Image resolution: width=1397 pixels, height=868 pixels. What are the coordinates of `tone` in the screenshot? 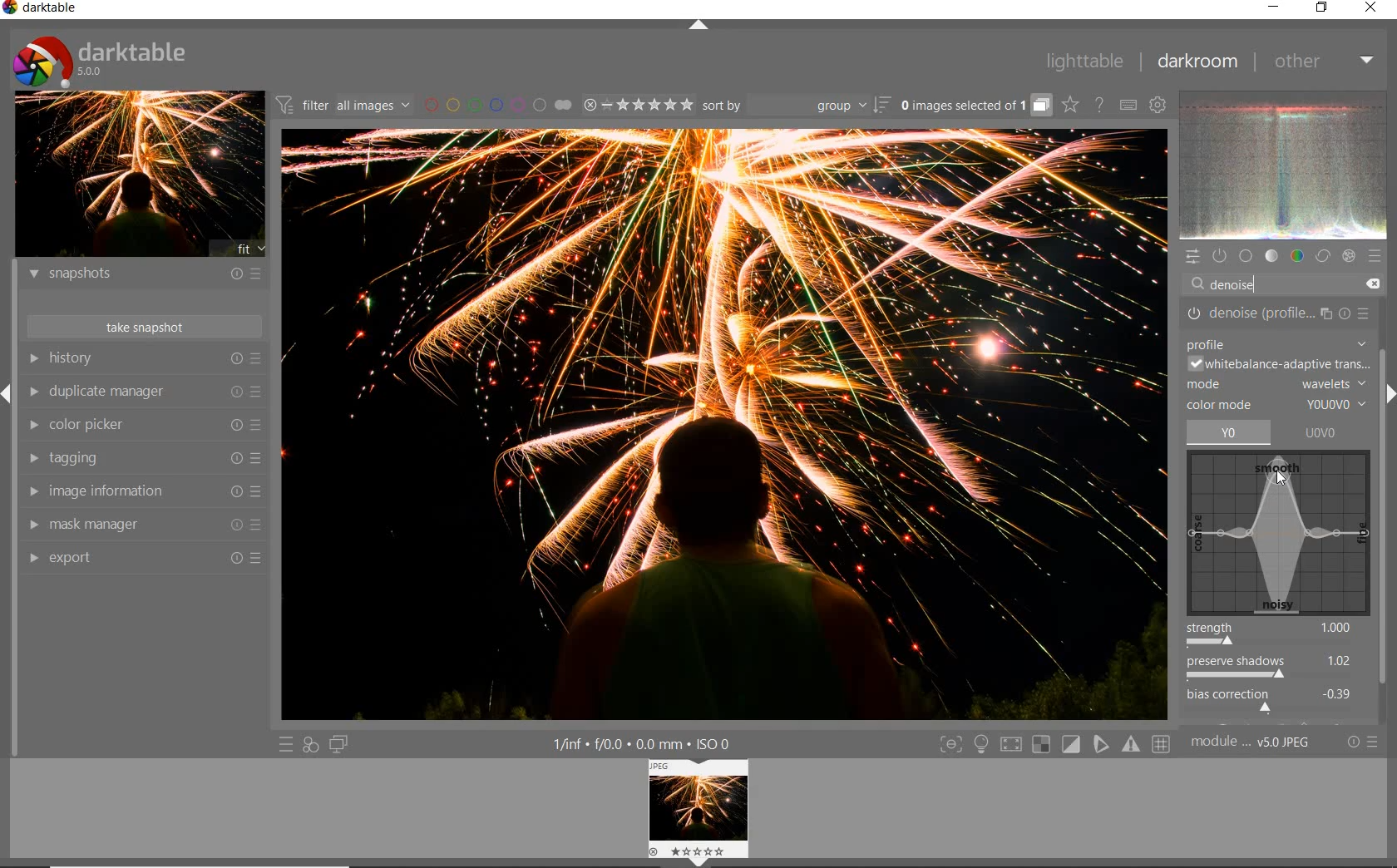 It's located at (1273, 257).